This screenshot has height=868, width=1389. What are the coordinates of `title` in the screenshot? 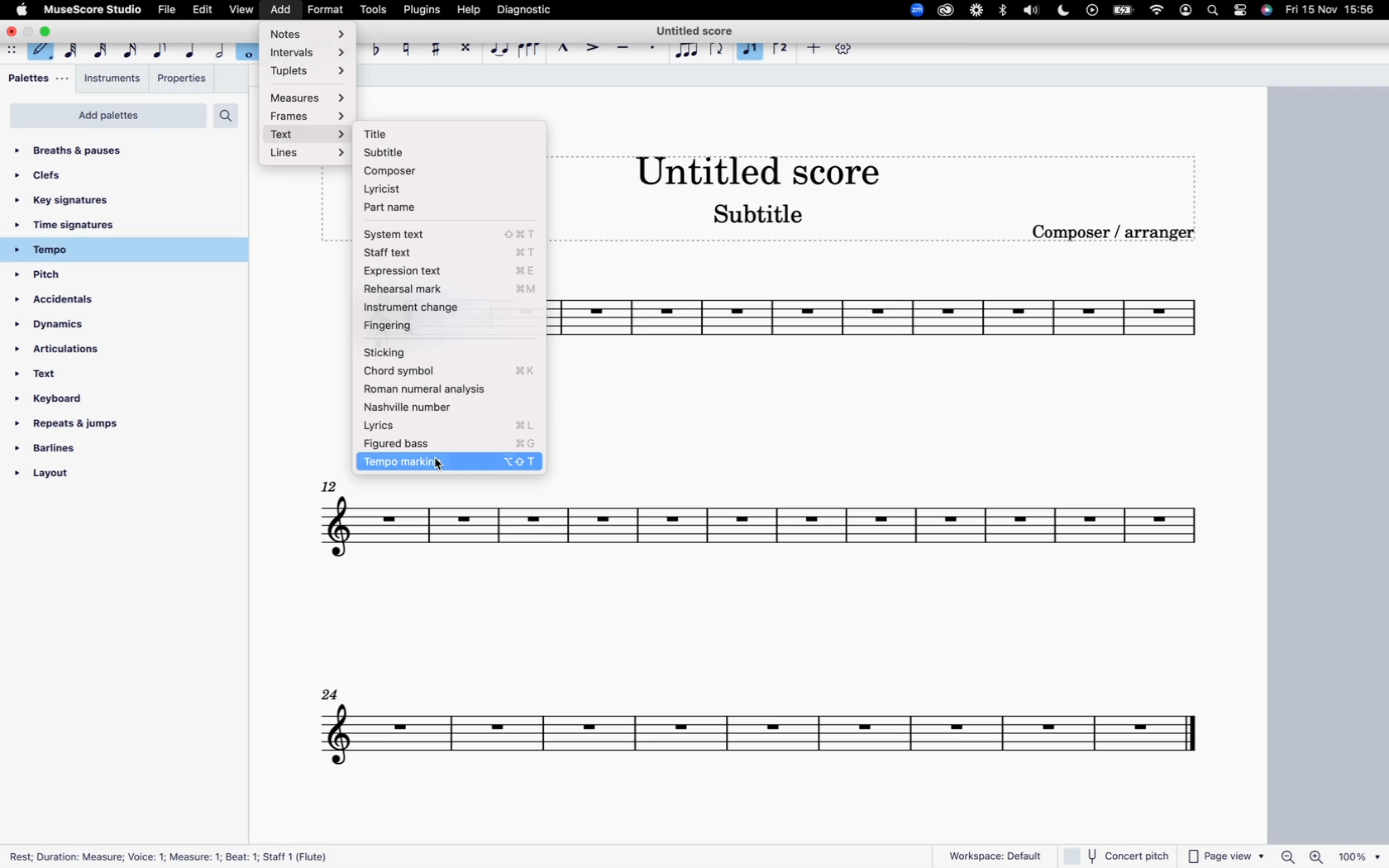 It's located at (444, 134).